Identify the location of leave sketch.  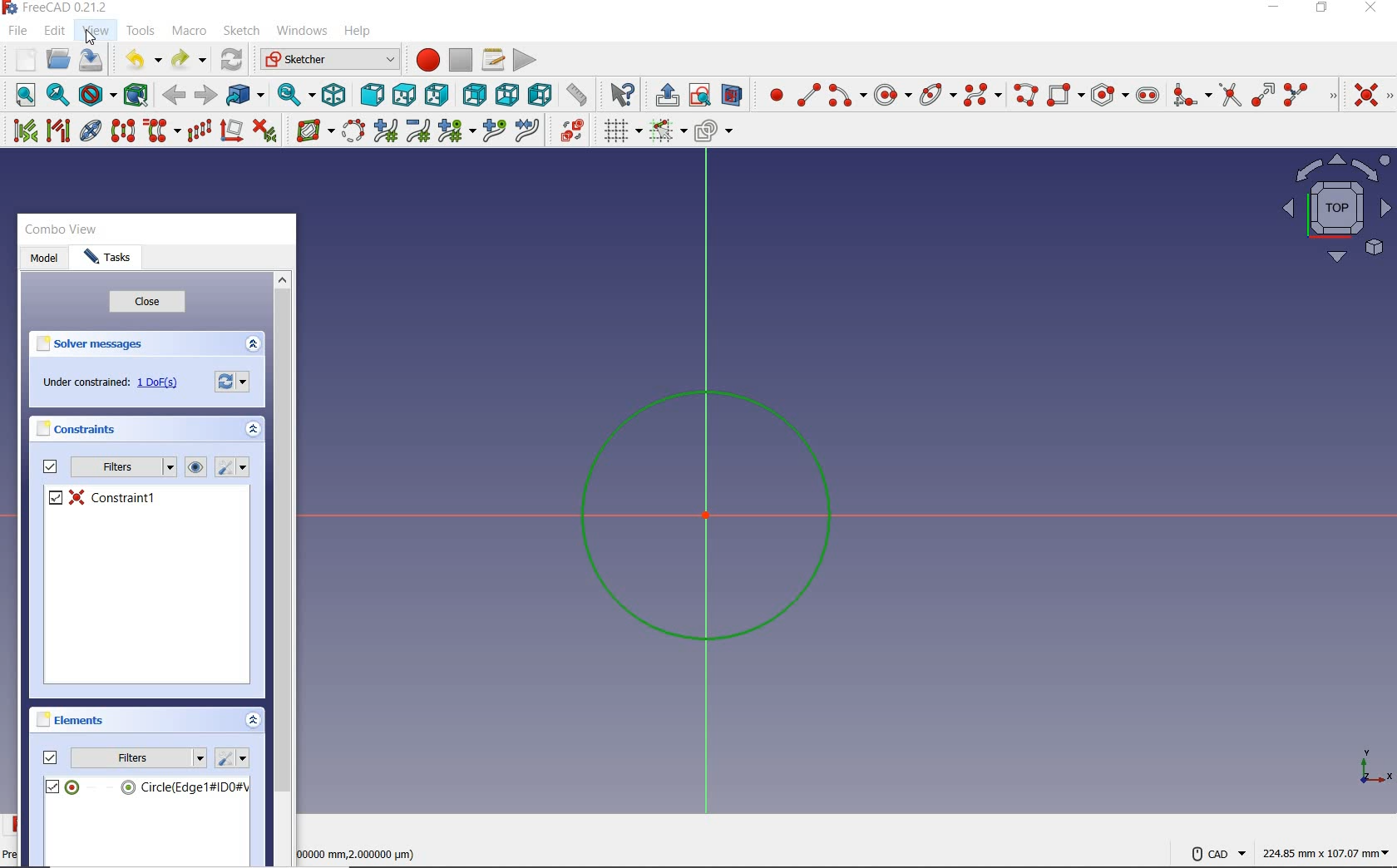
(664, 93).